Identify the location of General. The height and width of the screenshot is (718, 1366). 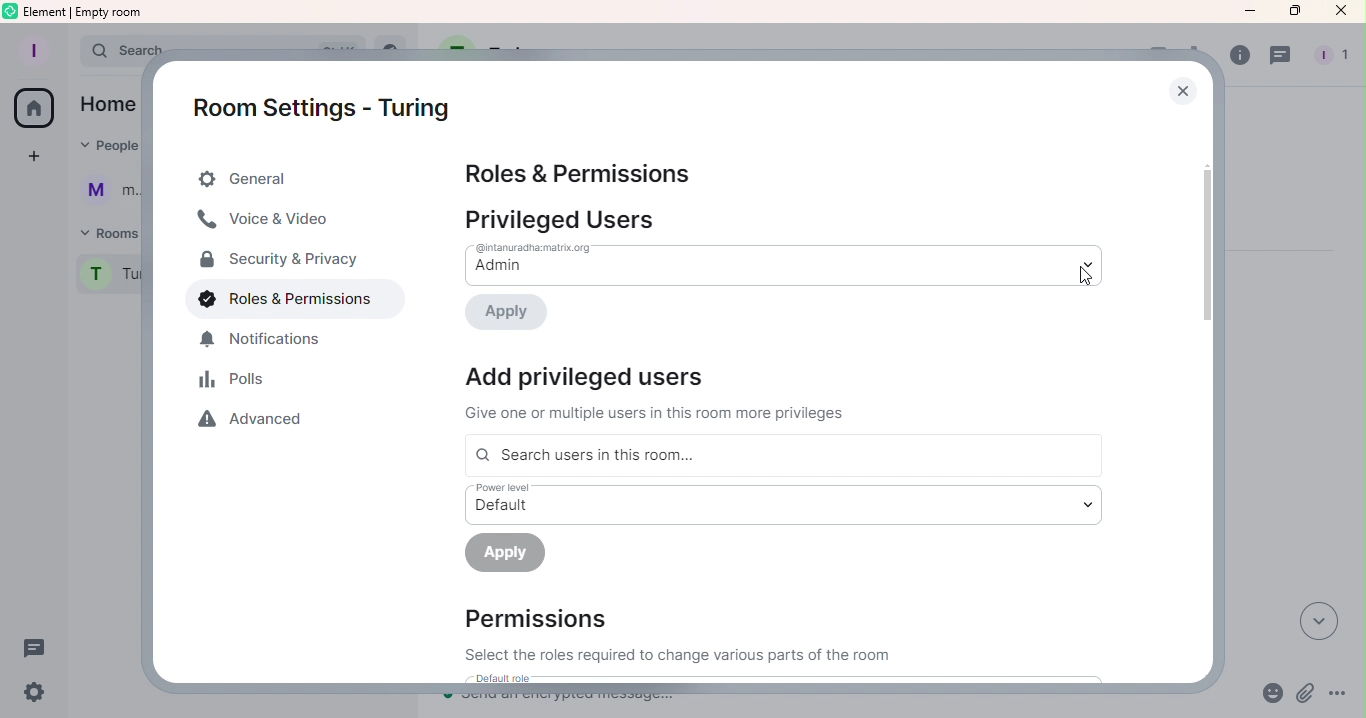
(301, 175).